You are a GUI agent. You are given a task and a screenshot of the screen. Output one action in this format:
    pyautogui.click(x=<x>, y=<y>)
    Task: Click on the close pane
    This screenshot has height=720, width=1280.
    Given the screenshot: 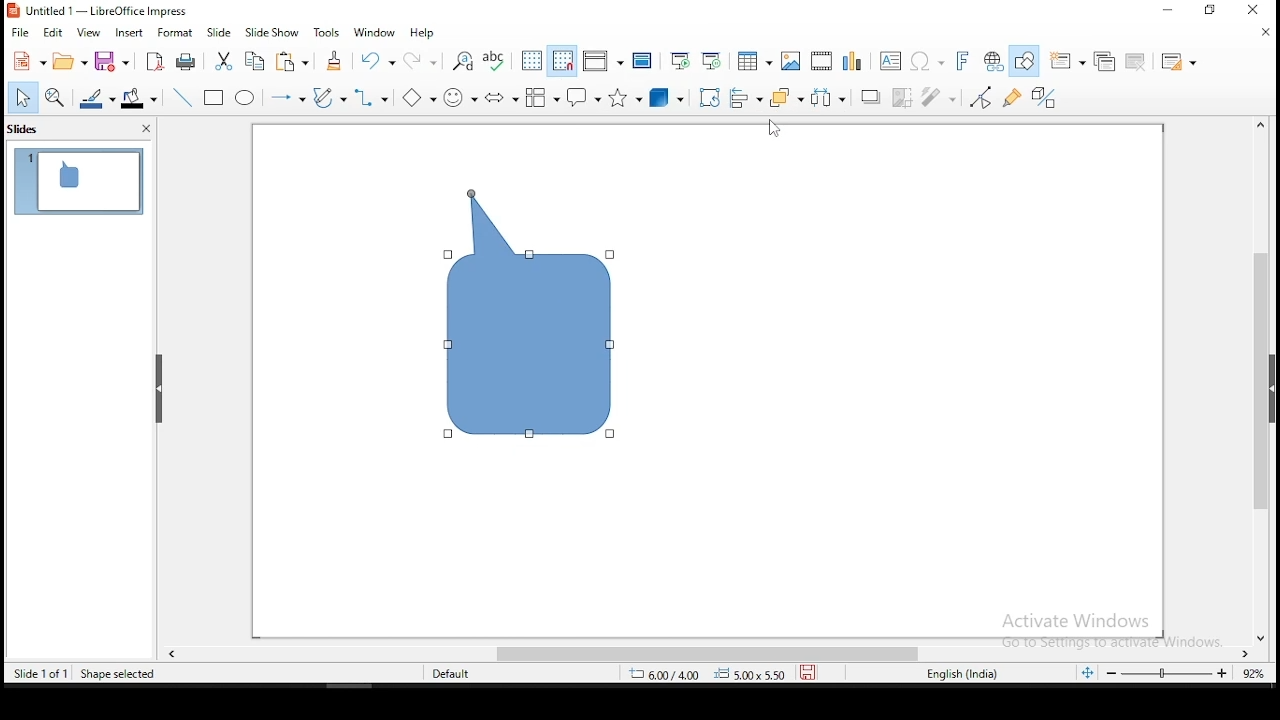 What is the action you would take?
    pyautogui.click(x=145, y=128)
    